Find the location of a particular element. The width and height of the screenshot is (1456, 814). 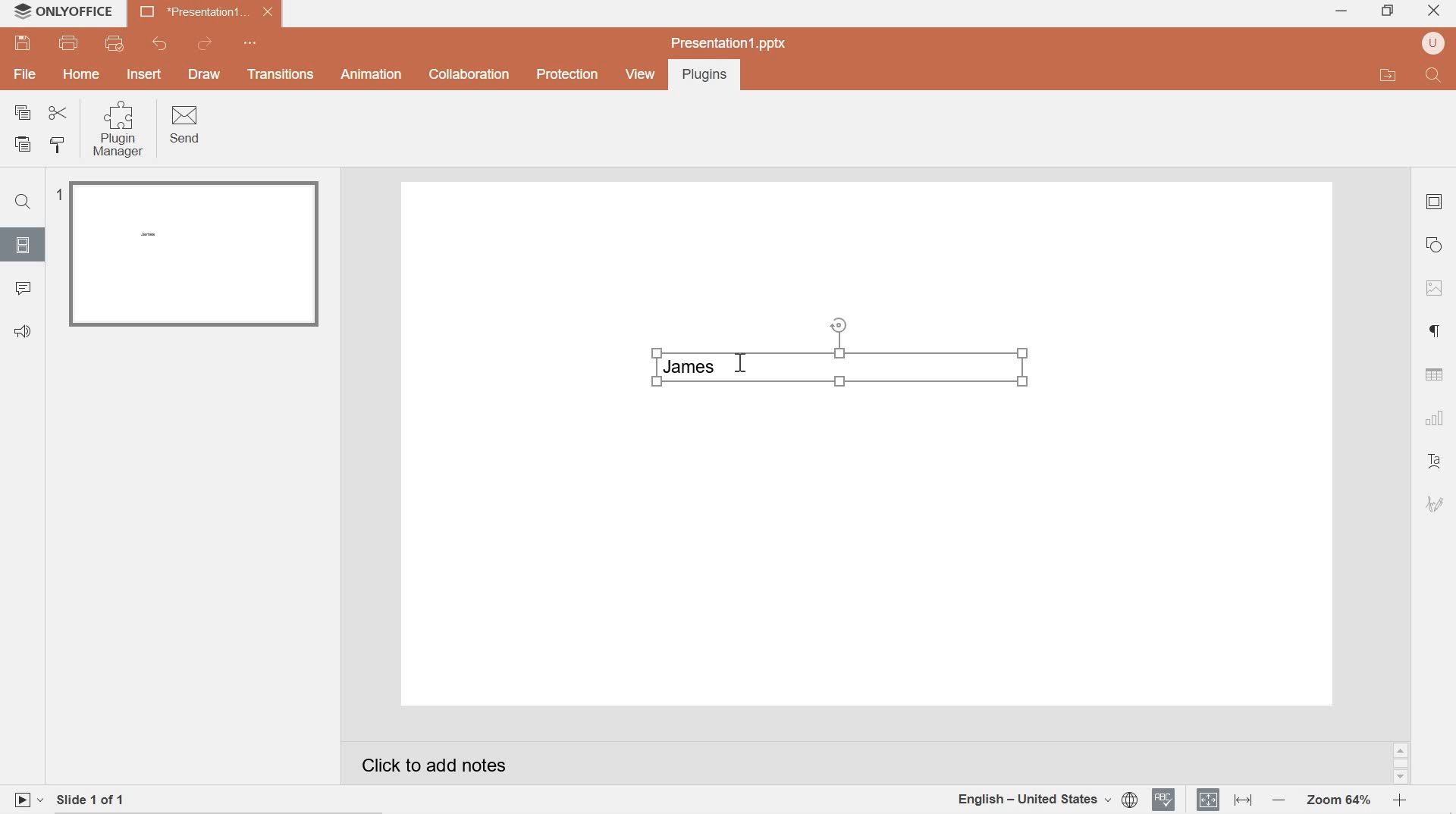

slides is located at coordinates (24, 245).